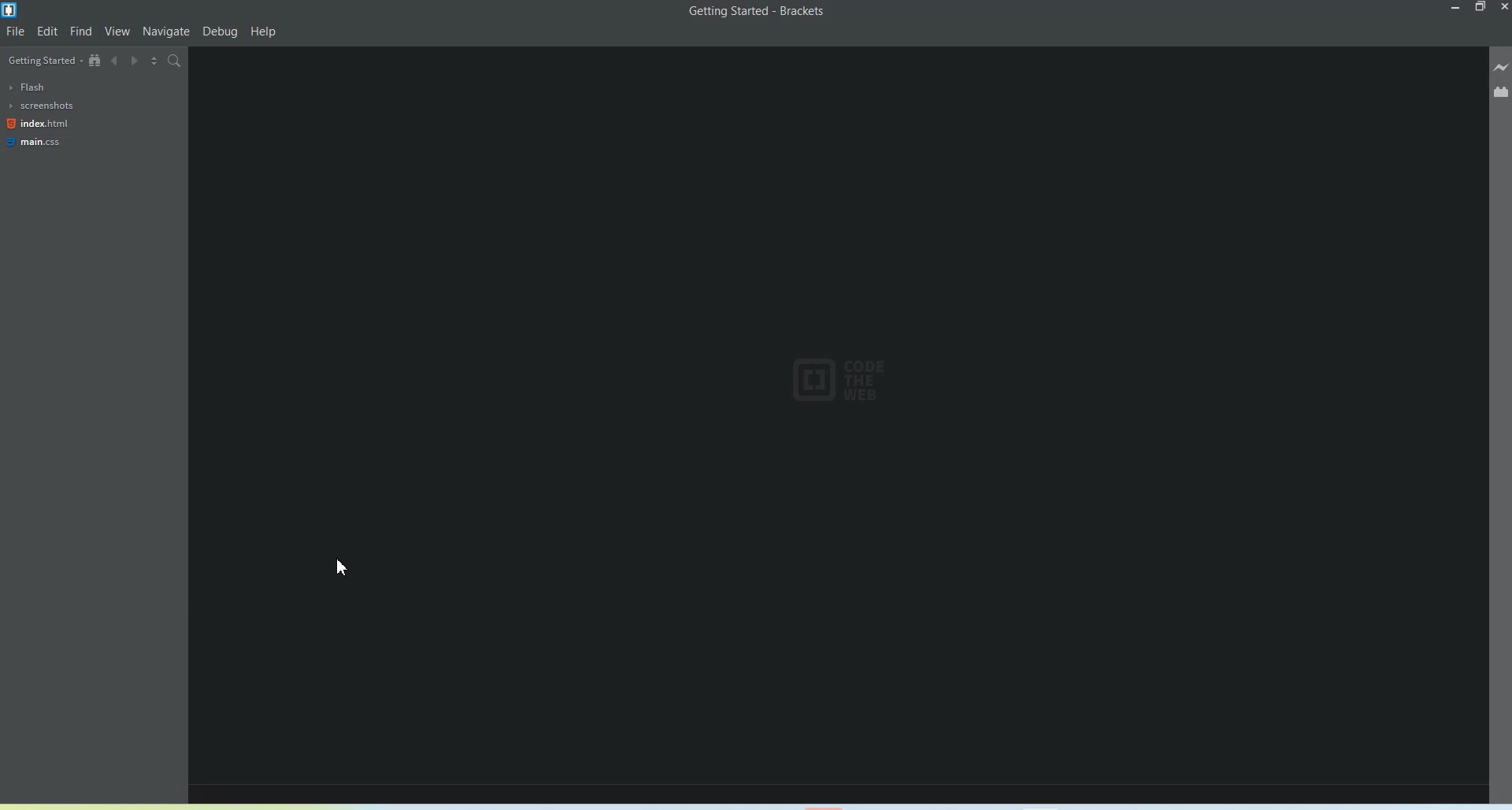 The width and height of the screenshot is (1512, 810). What do you see at coordinates (154, 61) in the screenshot?
I see `Split the editor vertically and Horizontally` at bounding box center [154, 61].